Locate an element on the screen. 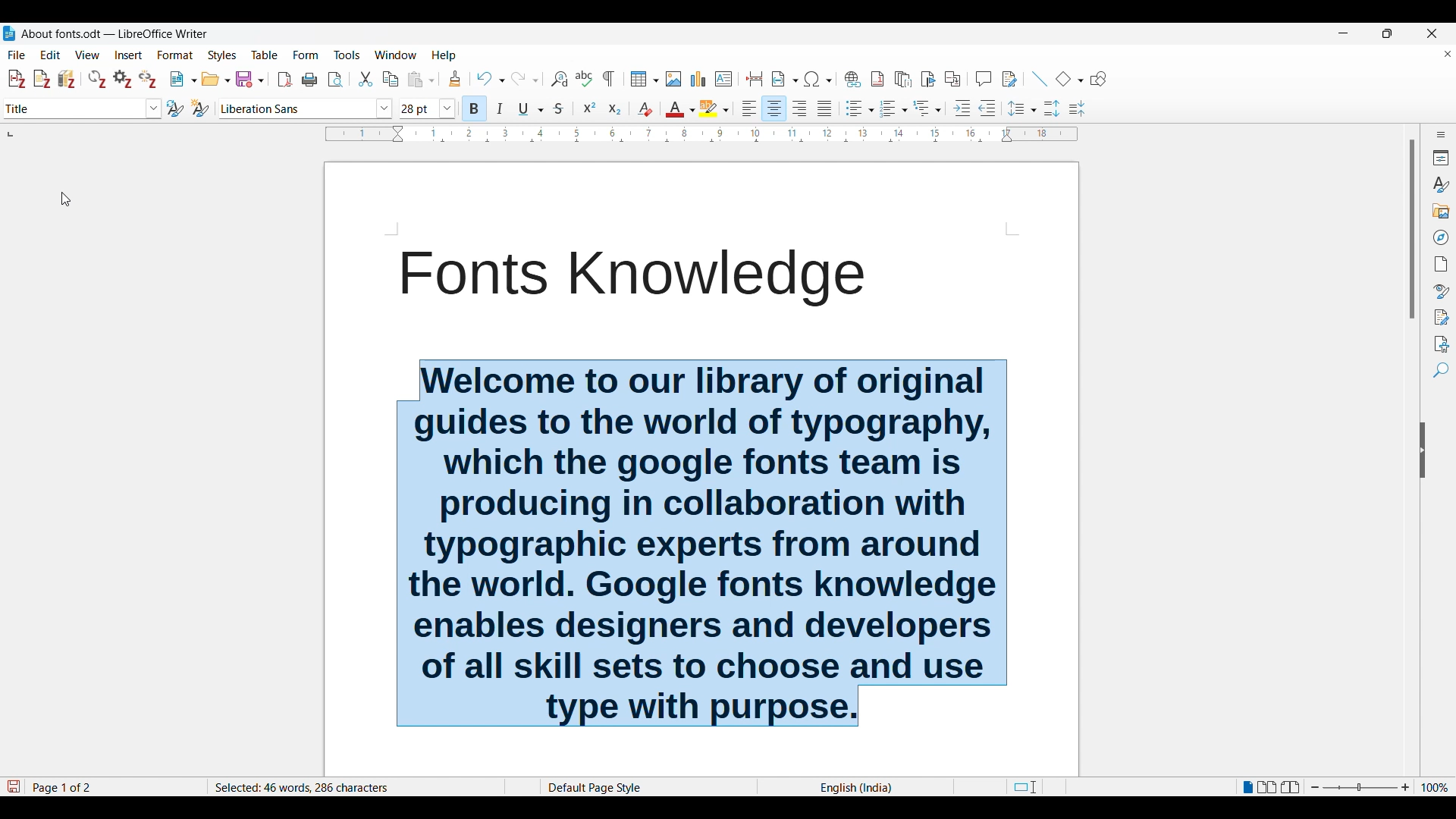 This screenshot has width=1456, height=819. Insert cross-reference is located at coordinates (953, 79).